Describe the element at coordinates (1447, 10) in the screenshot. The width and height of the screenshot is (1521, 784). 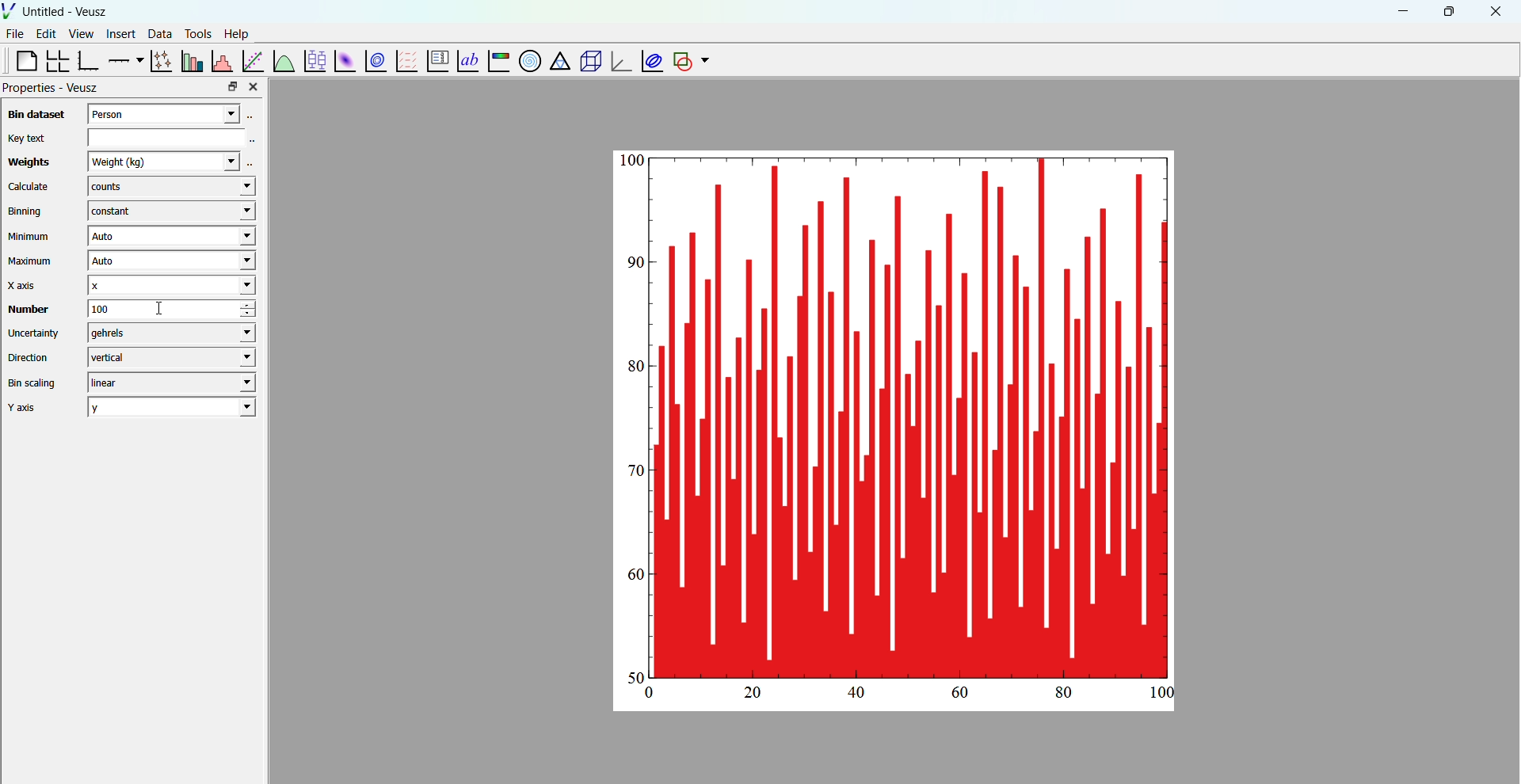
I see `maximize` at that location.